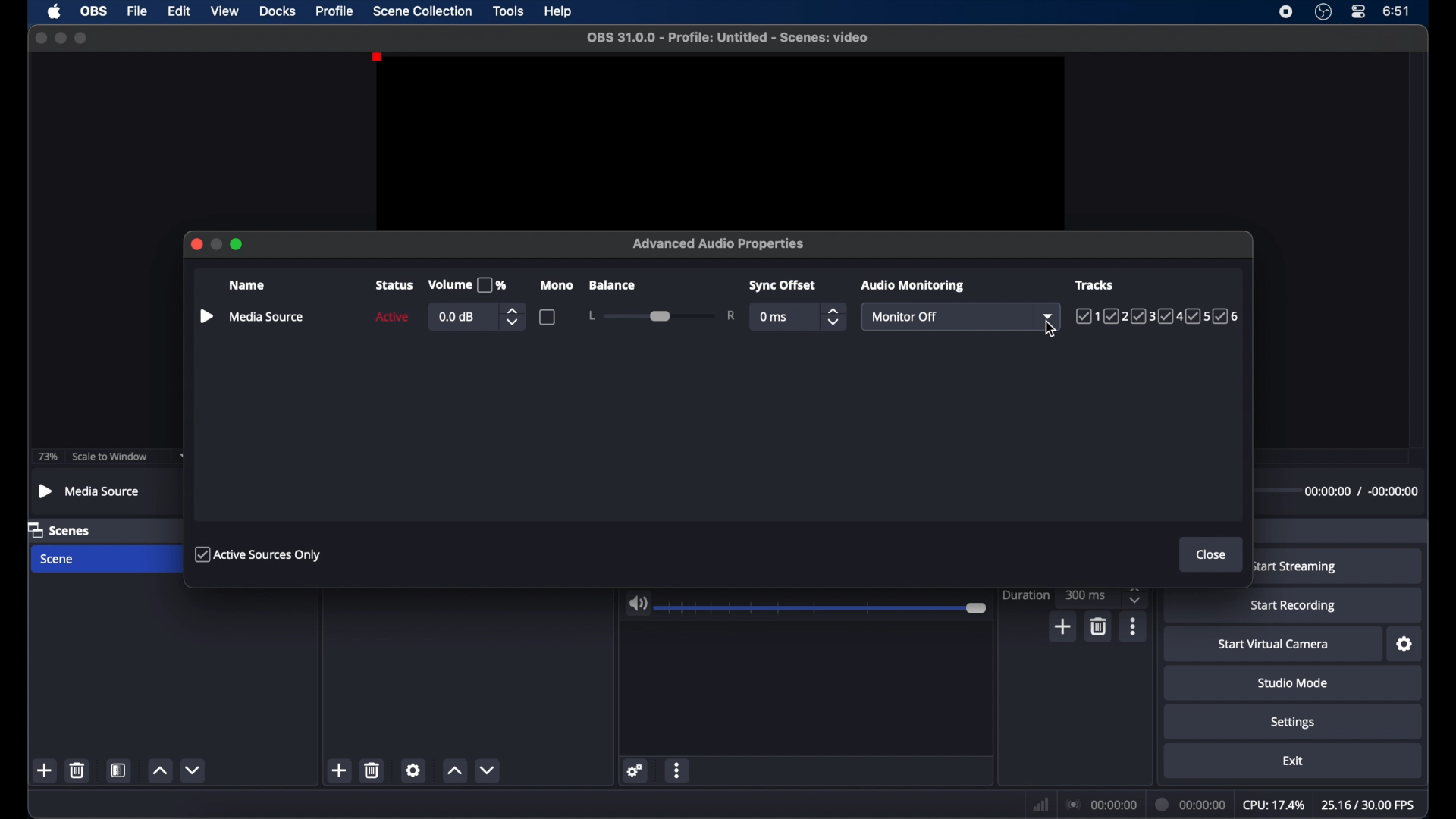  Describe the element at coordinates (664, 315) in the screenshot. I see `slider` at that location.